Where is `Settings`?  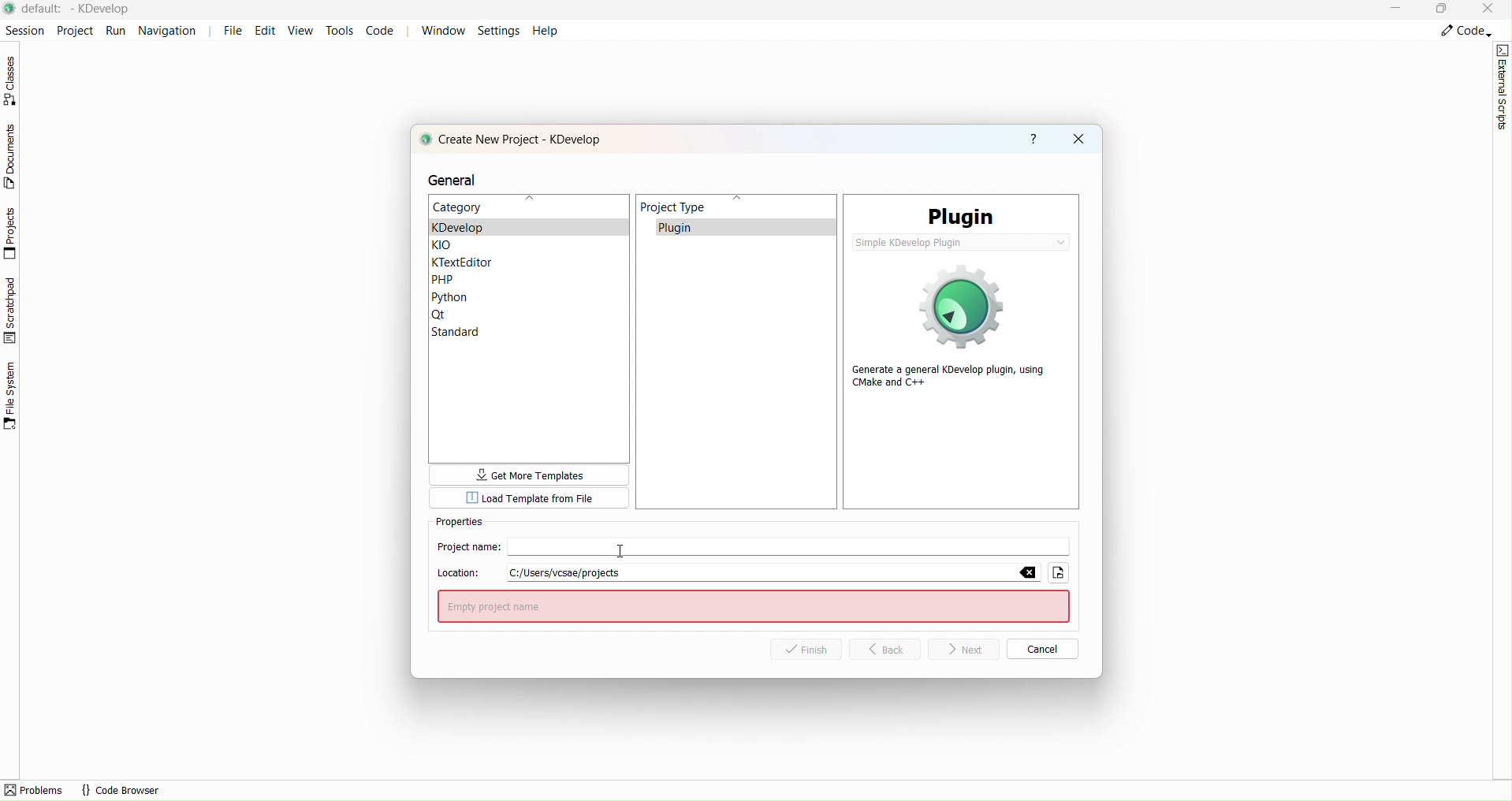
Settings is located at coordinates (500, 30).